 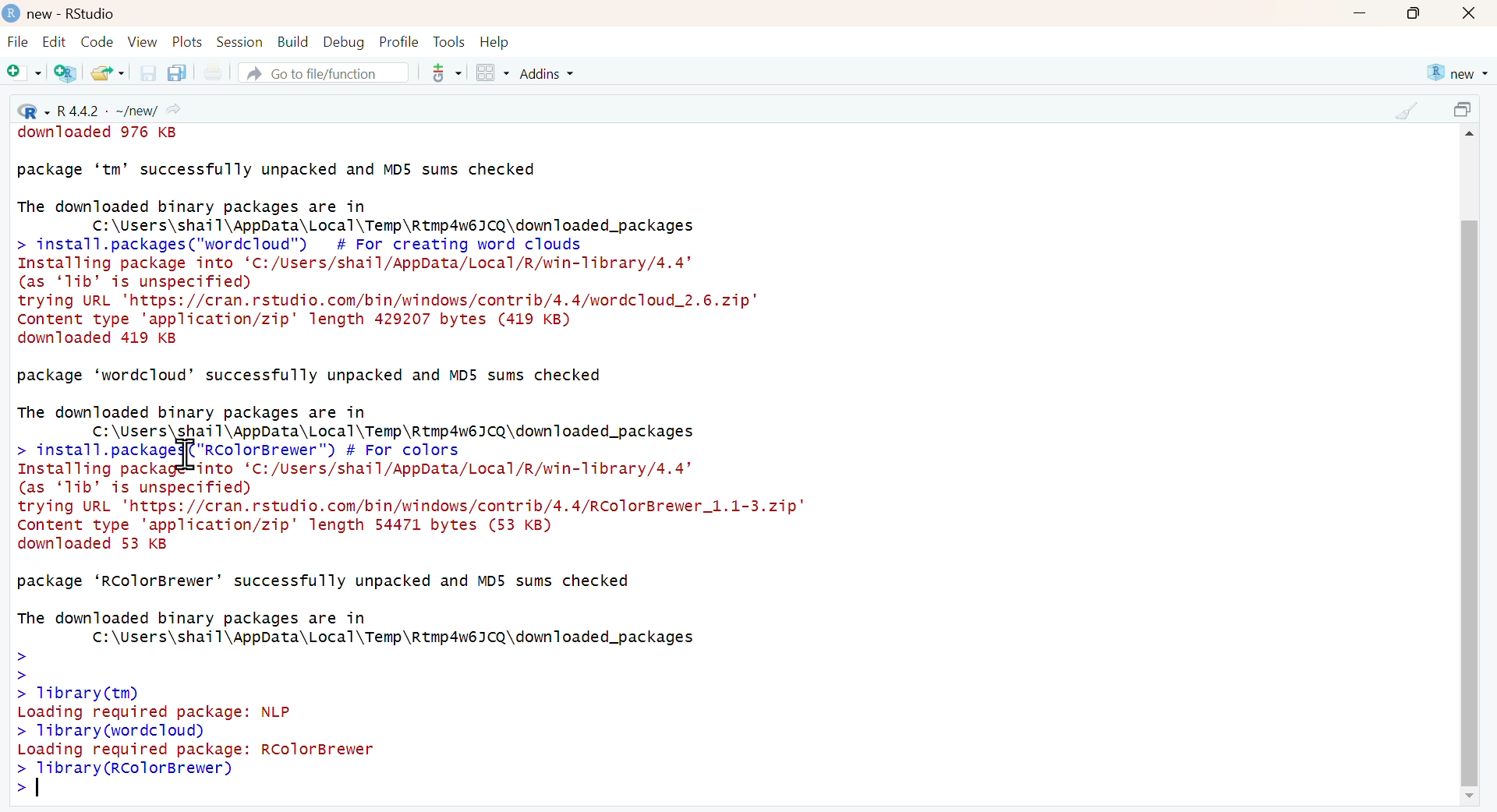 I want to click on downloaded 976 KB, so click(x=103, y=133).